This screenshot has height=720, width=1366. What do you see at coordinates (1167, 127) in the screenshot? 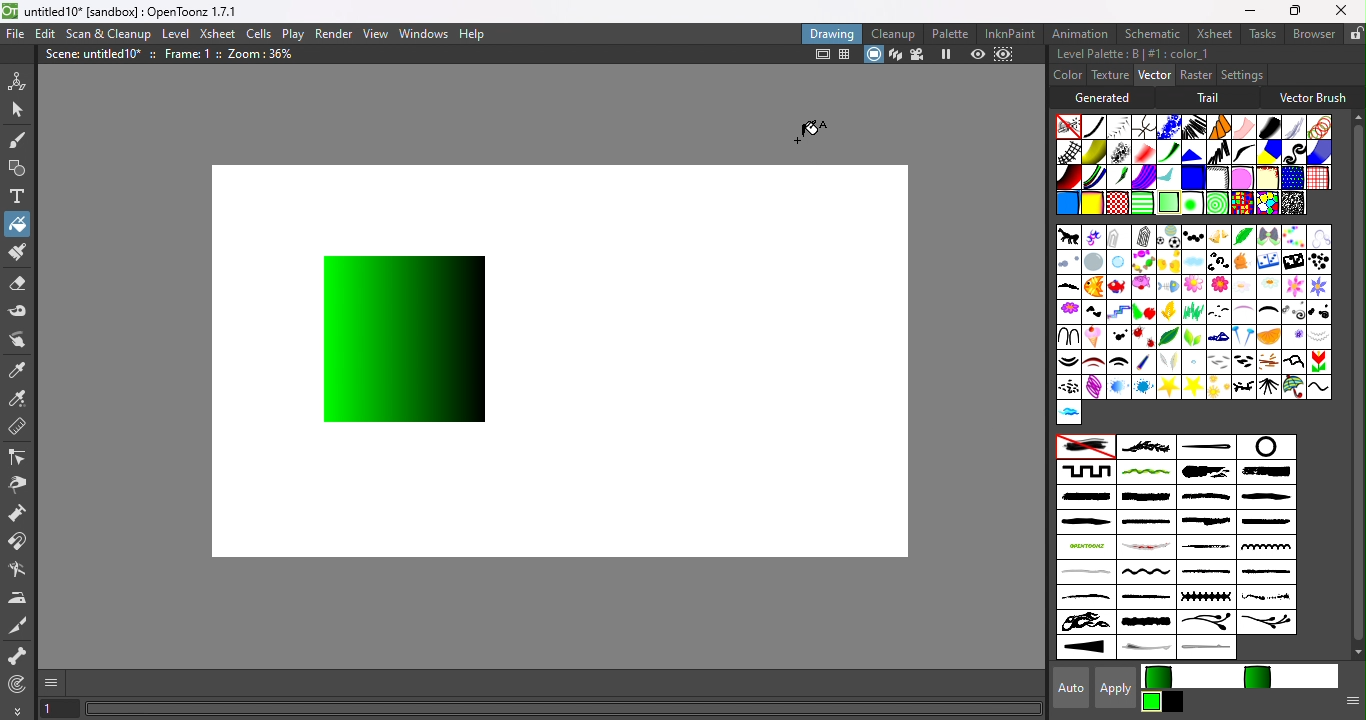
I see `Circlets` at bounding box center [1167, 127].